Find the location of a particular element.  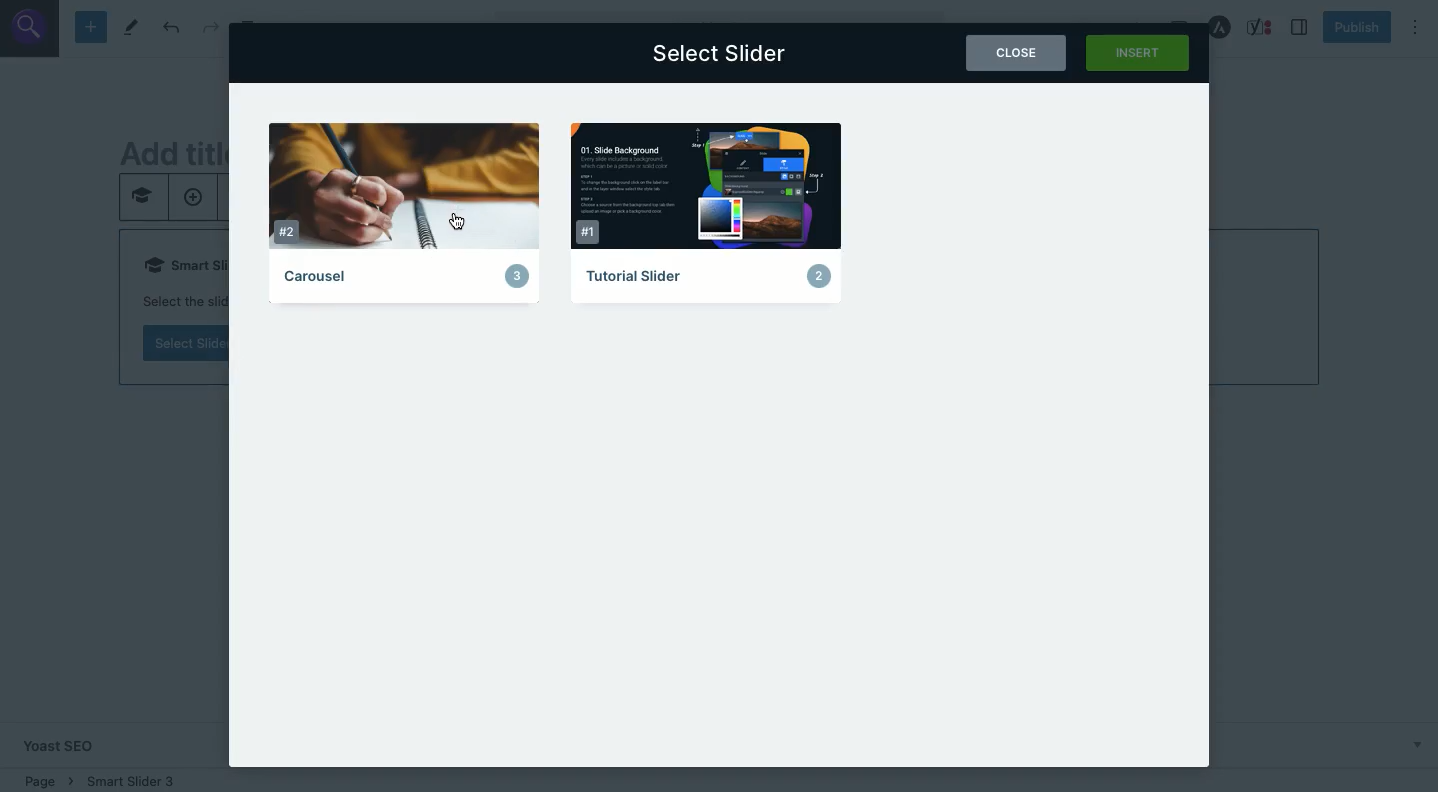

cursor is located at coordinates (457, 221).